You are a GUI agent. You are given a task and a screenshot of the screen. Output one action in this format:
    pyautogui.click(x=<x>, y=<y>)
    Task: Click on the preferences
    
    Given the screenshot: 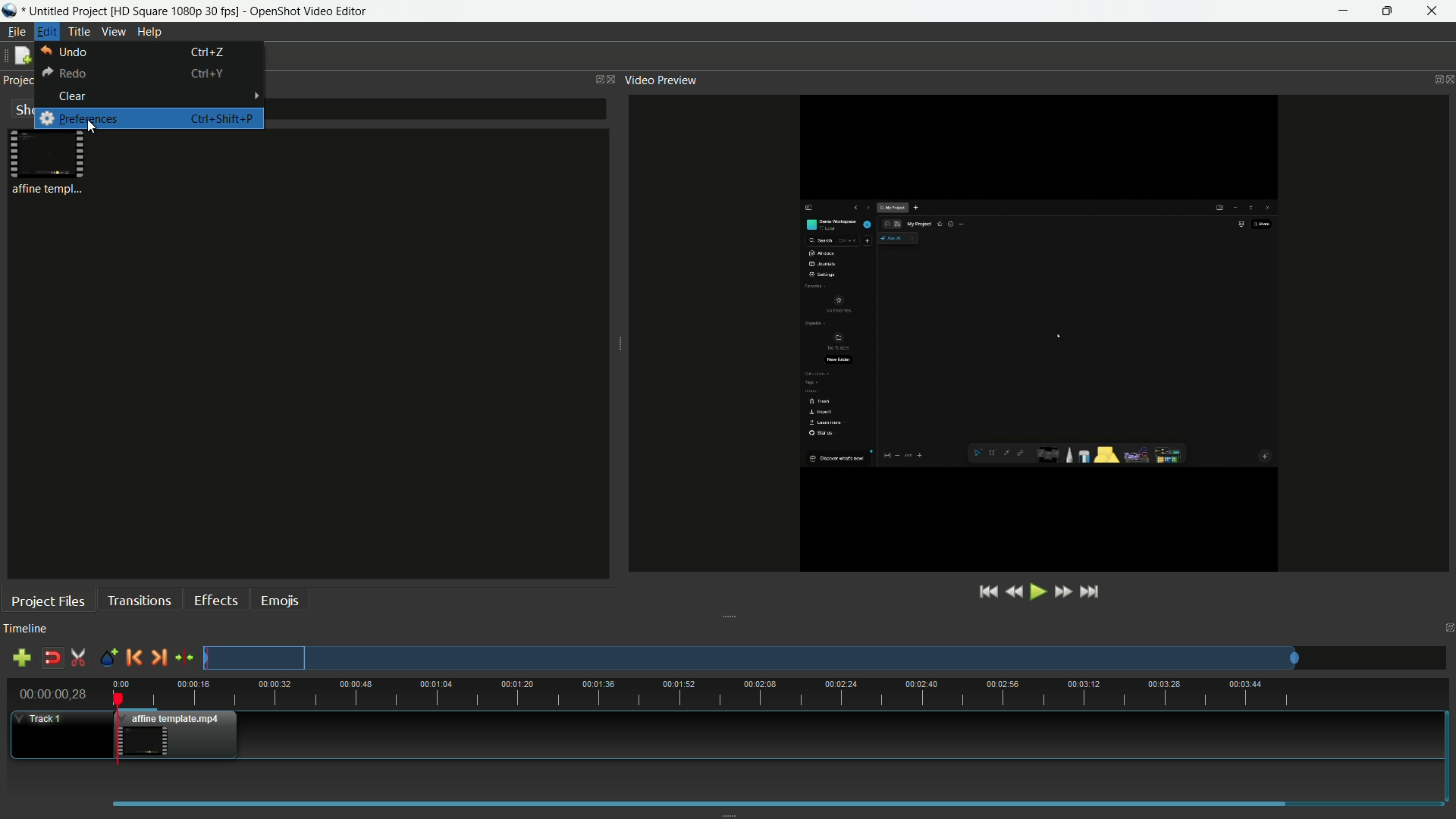 What is the action you would take?
    pyautogui.click(x=86, y=118)
    